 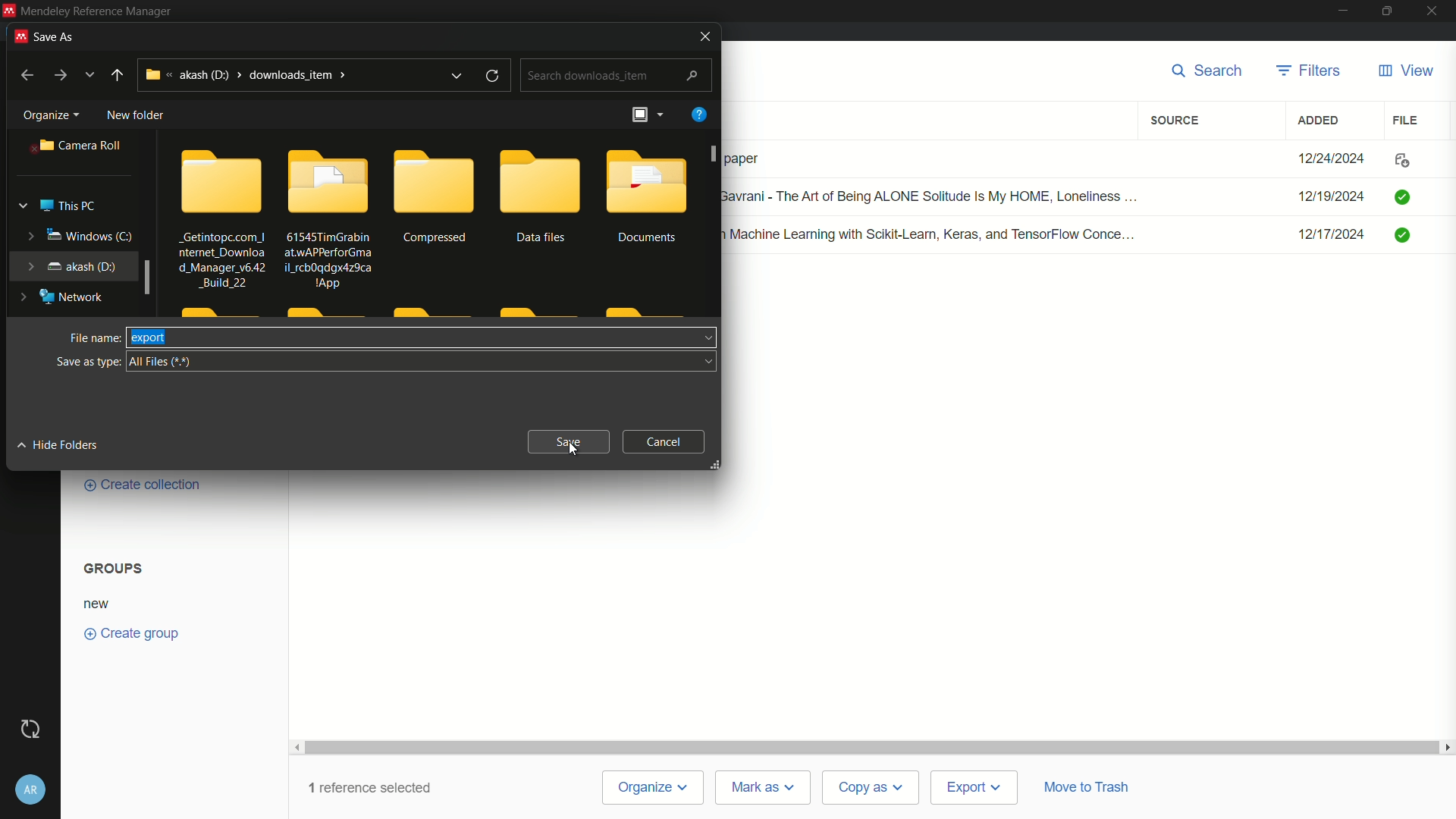 I want to click on icon, so click(x=1401, y=160).